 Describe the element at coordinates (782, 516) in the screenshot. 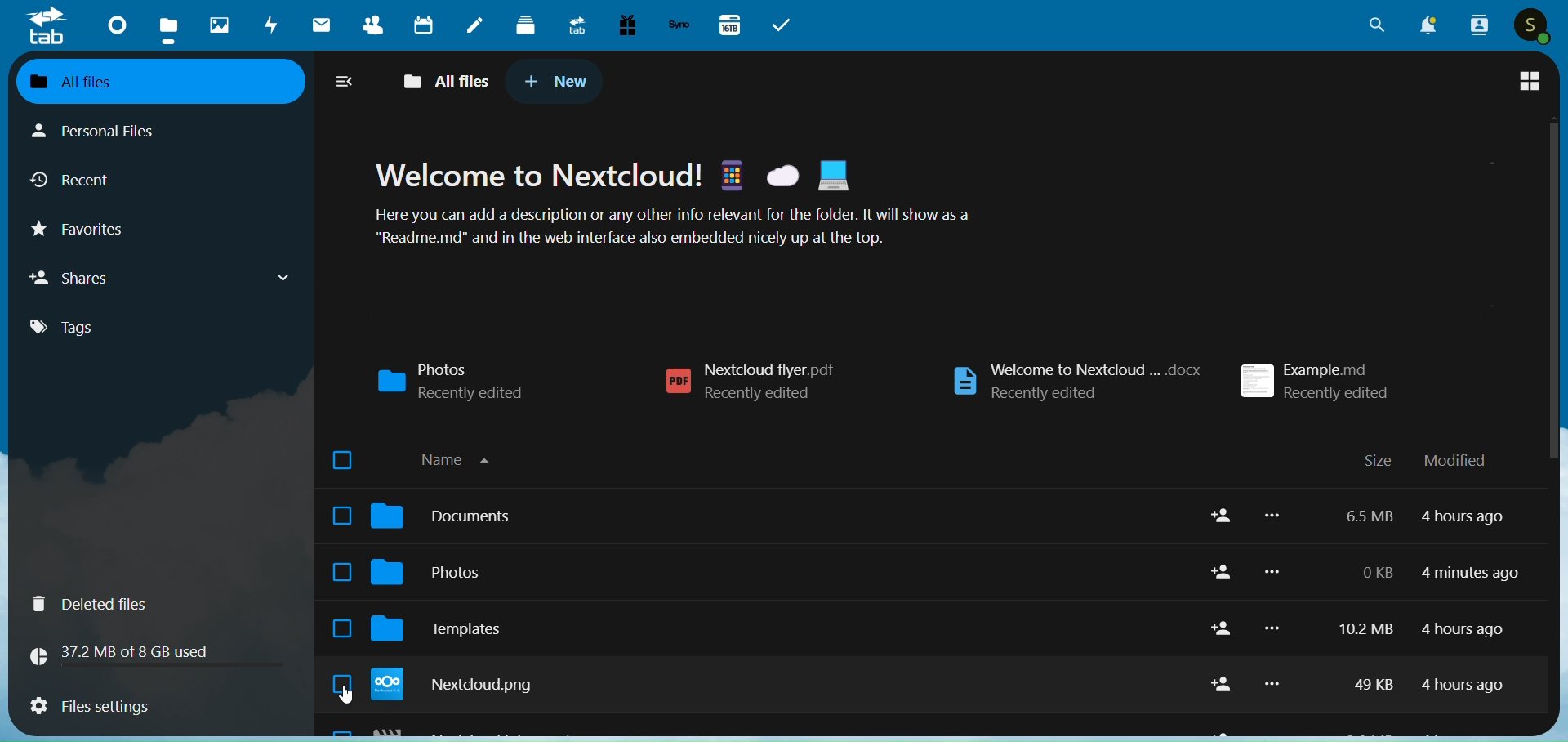

I see `Documents` at that location.